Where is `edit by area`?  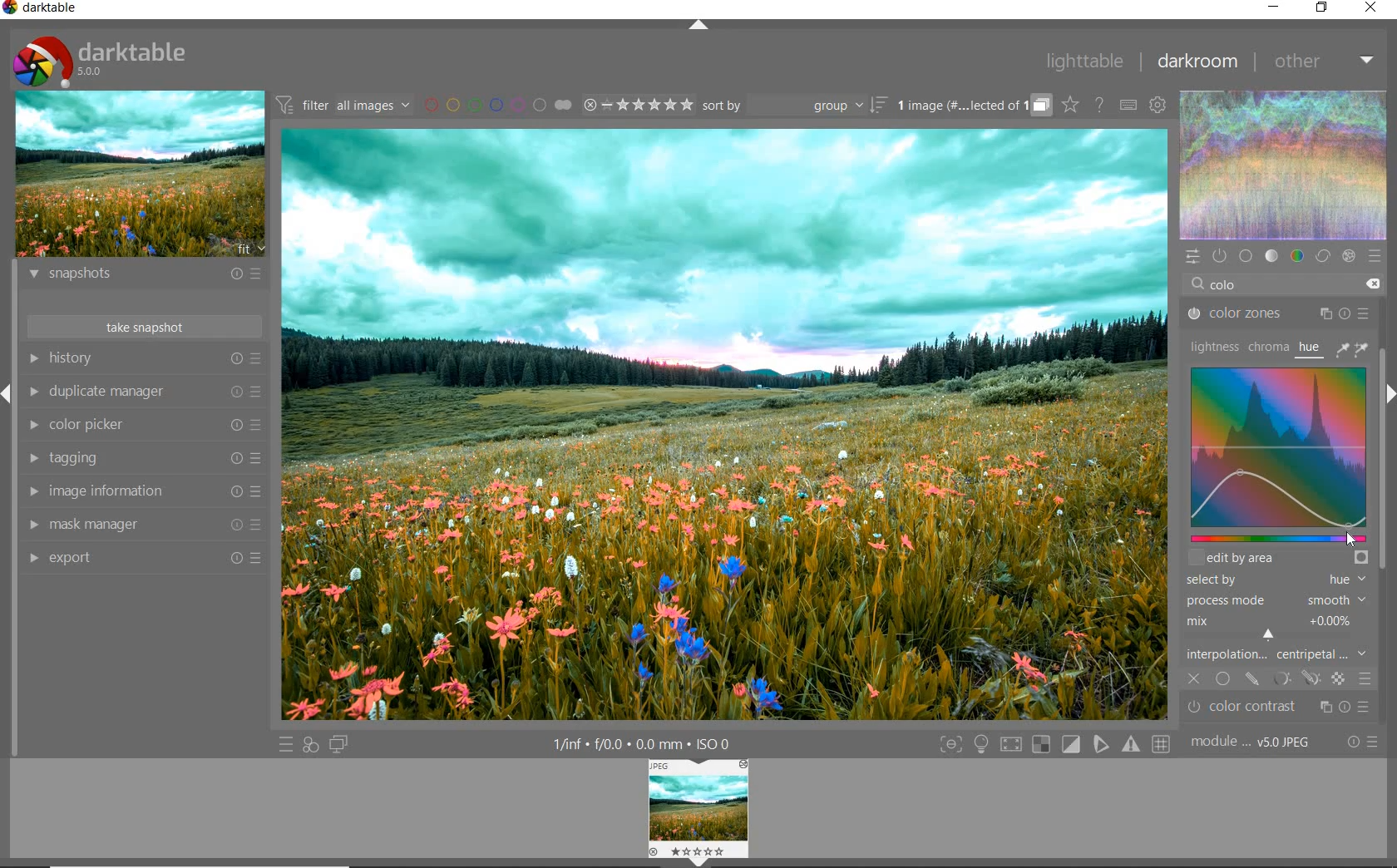
edit by area is located at coordinates (1278, 557).